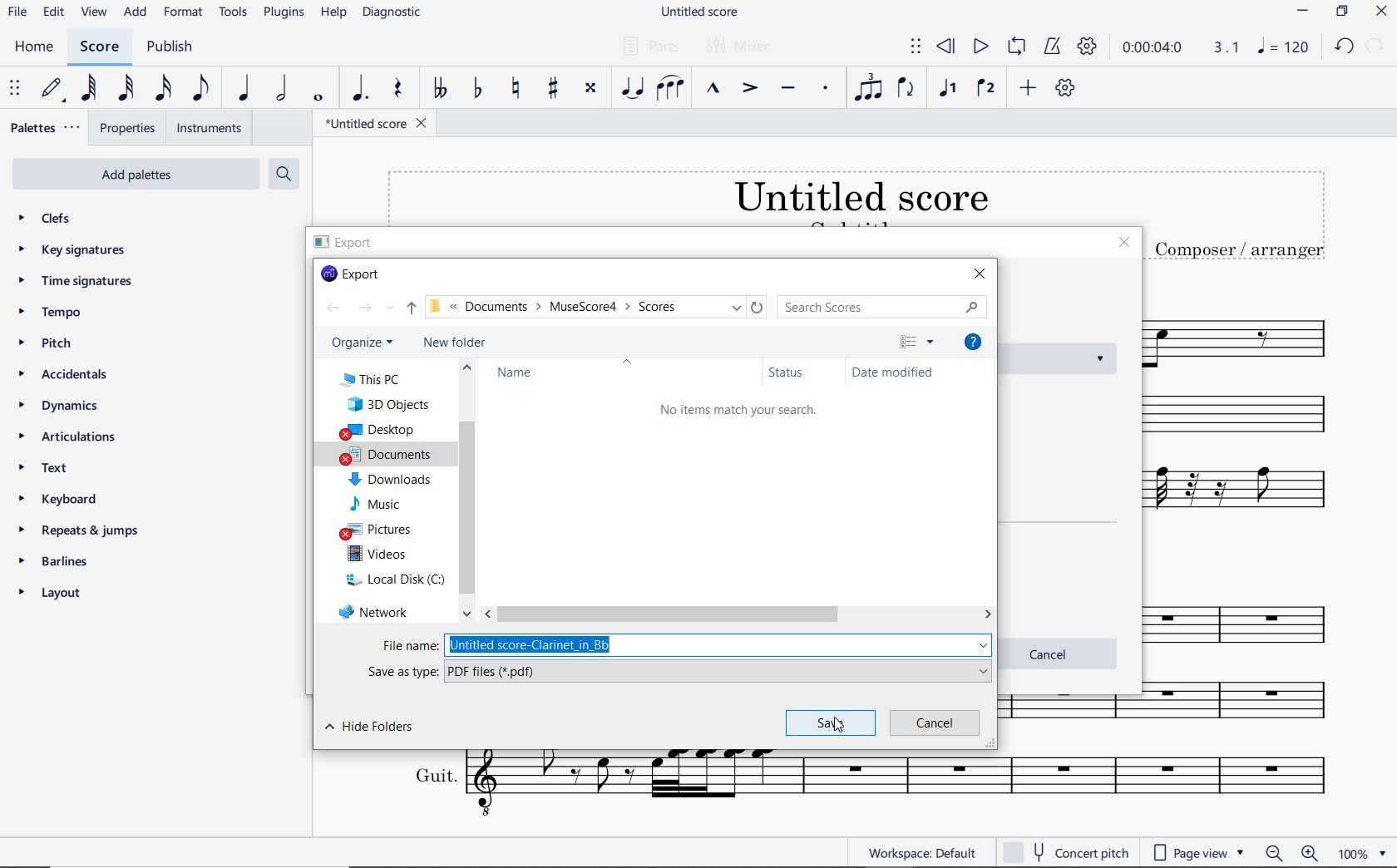  Describe the element at coordinates (16, 90) in the screenshot. I see `SELECT TO MOVE` at that location.